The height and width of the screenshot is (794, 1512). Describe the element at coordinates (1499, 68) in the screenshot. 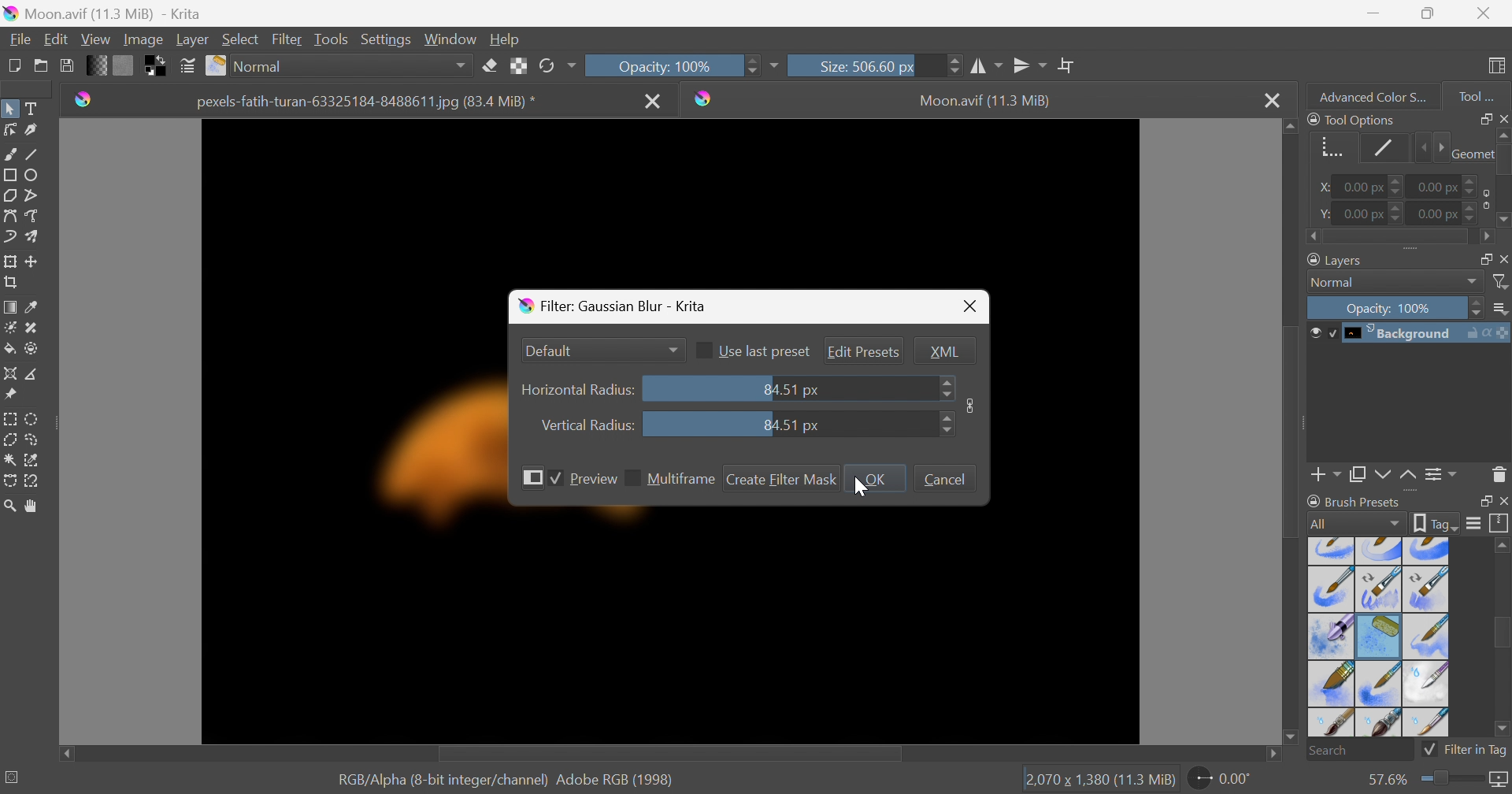

I see `Choose workspace` at that location.